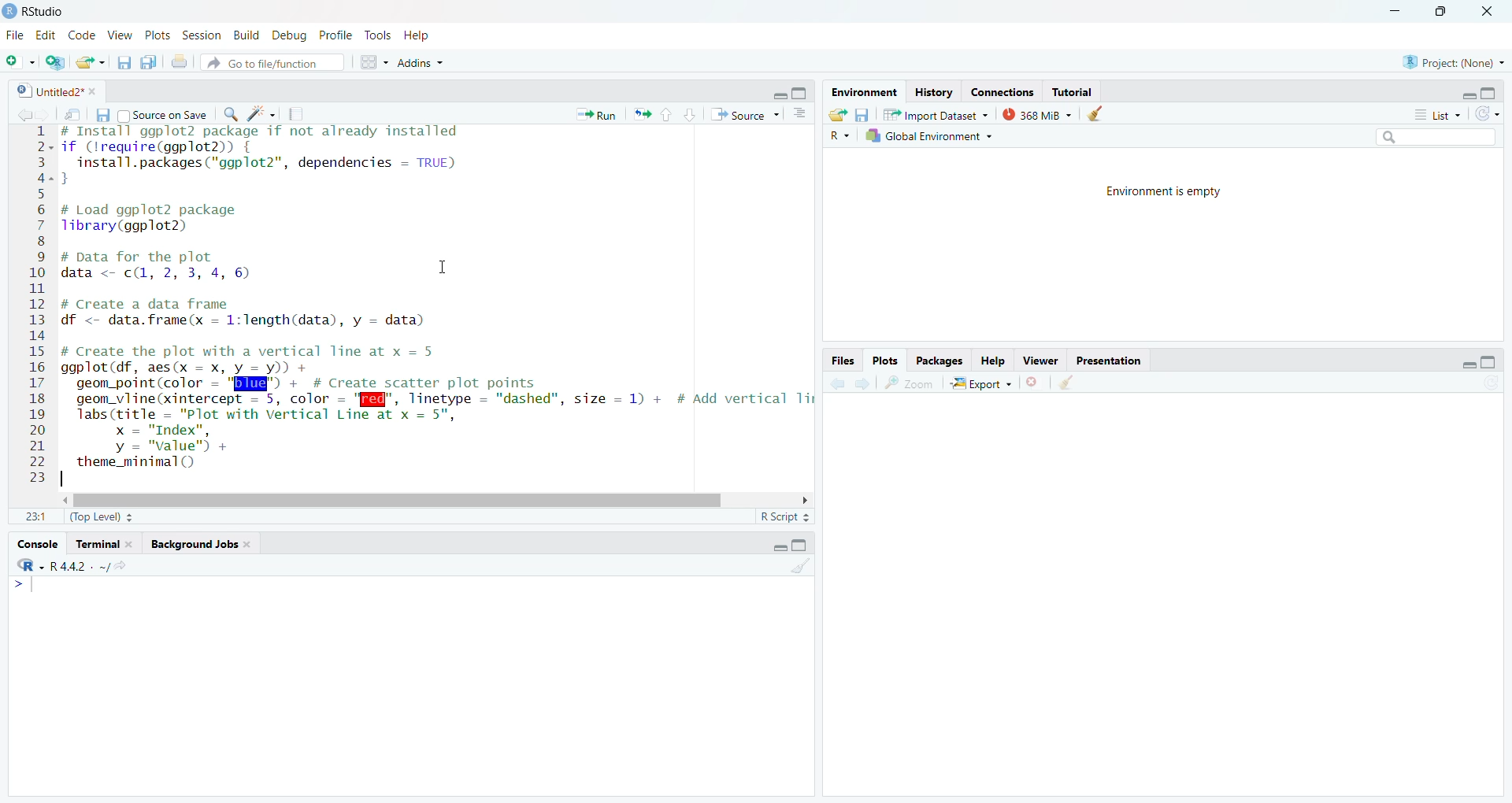 The height and width of the screenshot is (803, 1512). I want to click on upward, so click(665, 117).